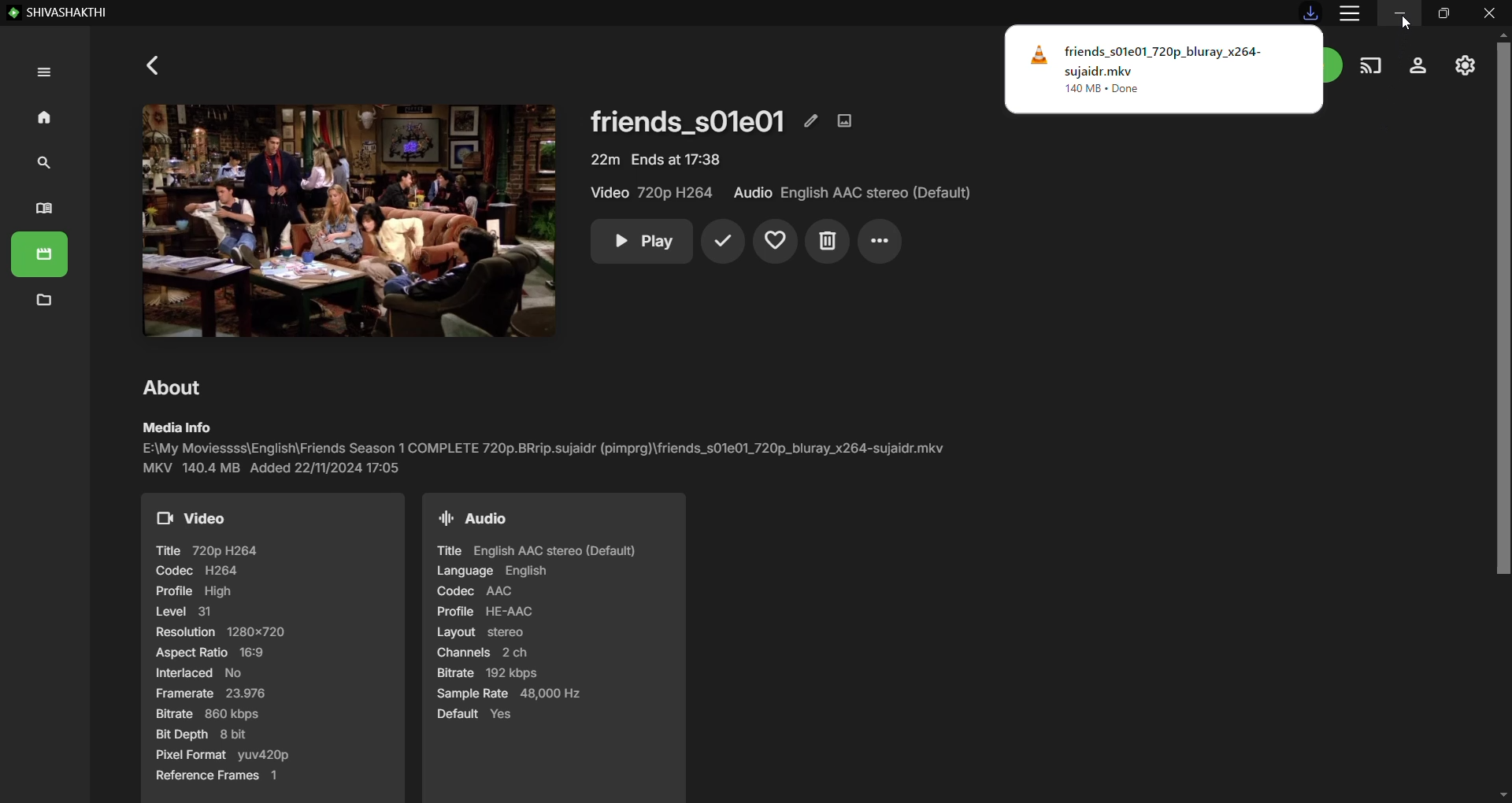 This screenshot has width=1512, height=803. Describe the element at coordinates (40, 116) in the screenshot. I see `Home` at that location.